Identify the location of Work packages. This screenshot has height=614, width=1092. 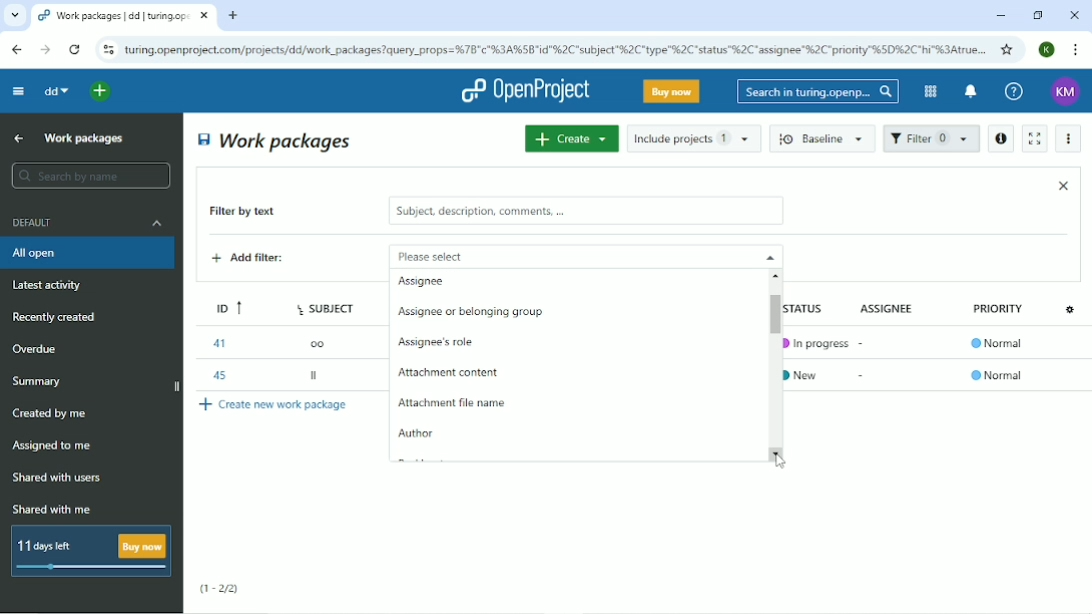
(85, 137).